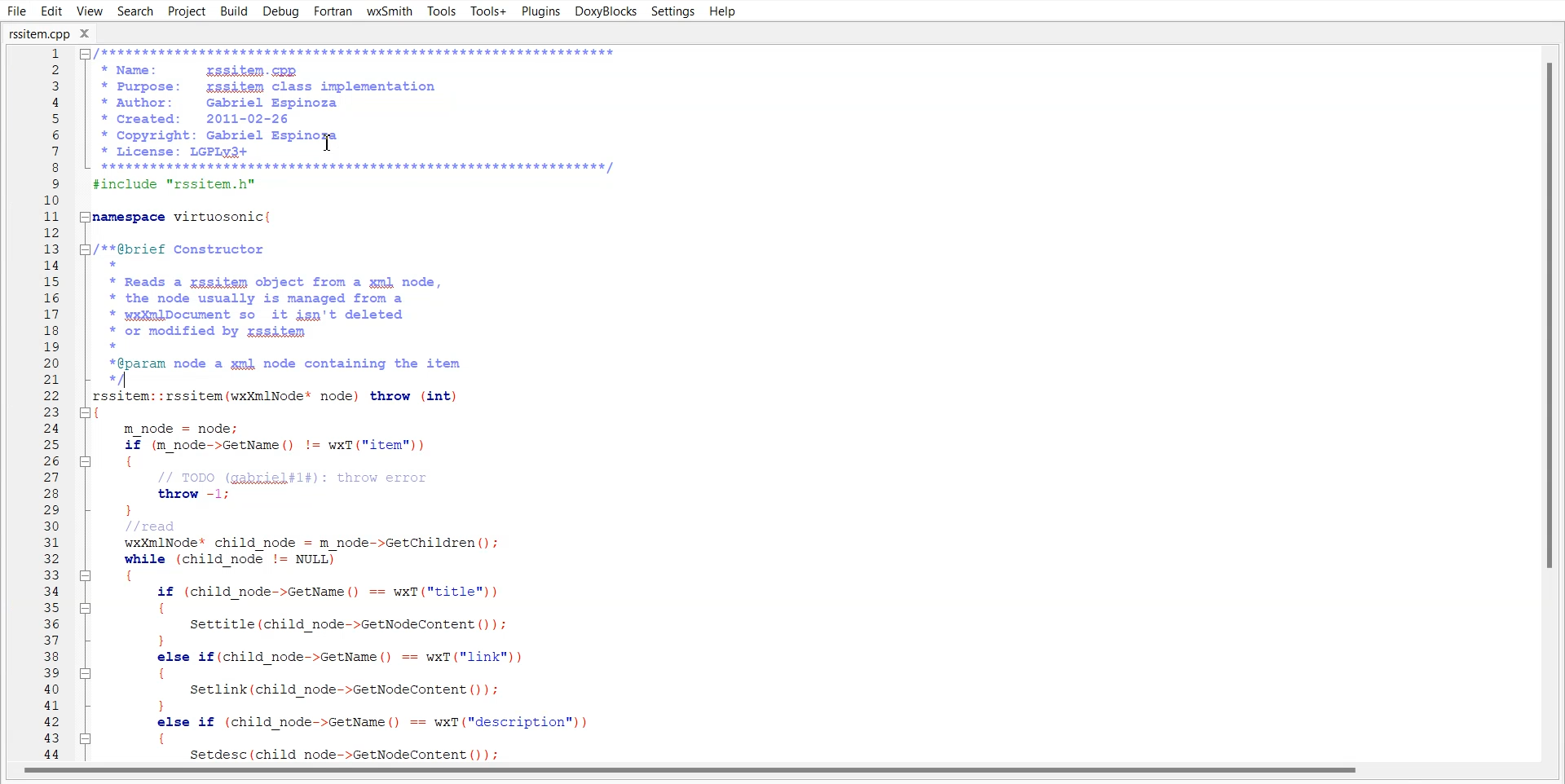 This screenshot has height=784, width=1565. I want to click on DoxyBlocks, so click(604, 11).